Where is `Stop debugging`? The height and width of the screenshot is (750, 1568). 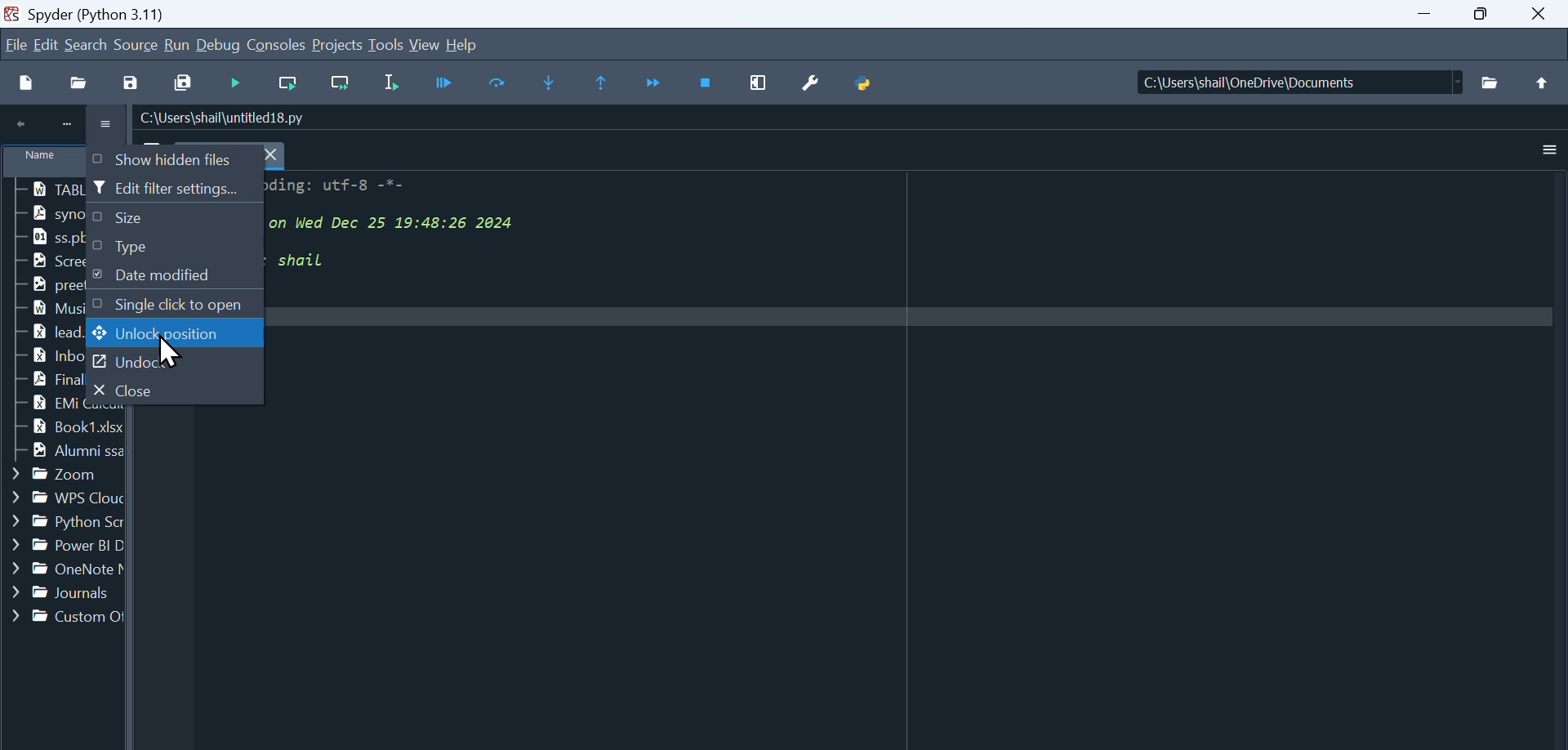
Stop debugging is located at coordinates (708, 83).